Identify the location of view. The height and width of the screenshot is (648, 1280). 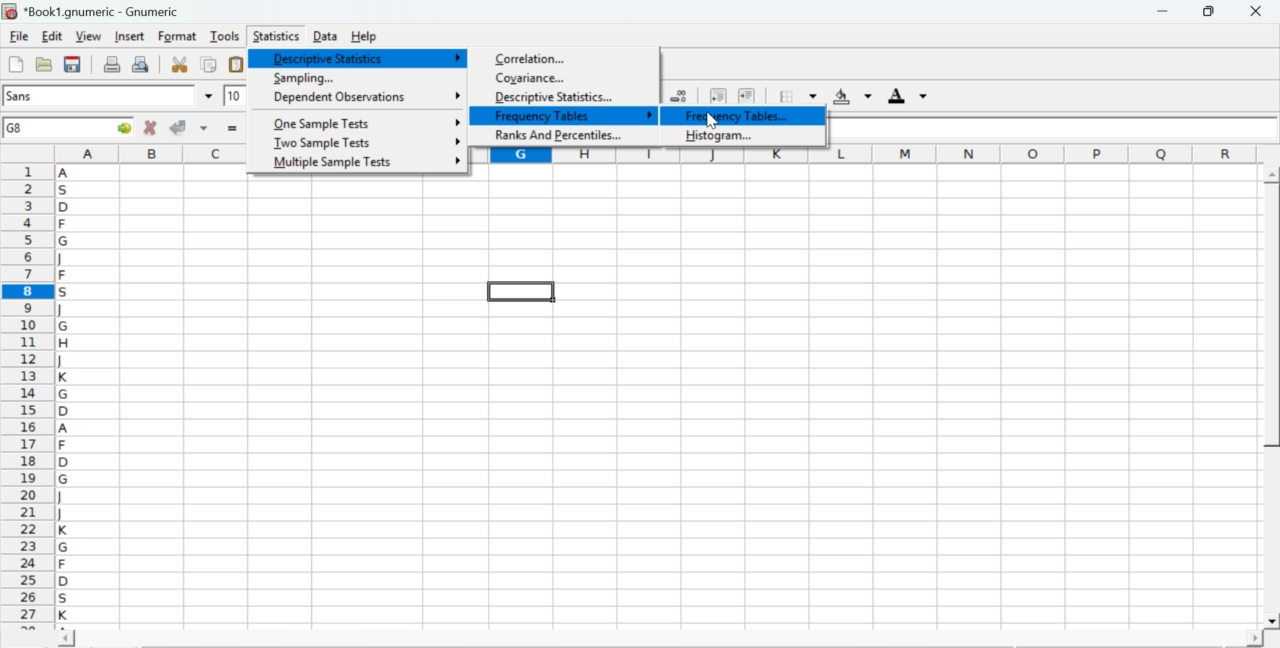
(88, 35).